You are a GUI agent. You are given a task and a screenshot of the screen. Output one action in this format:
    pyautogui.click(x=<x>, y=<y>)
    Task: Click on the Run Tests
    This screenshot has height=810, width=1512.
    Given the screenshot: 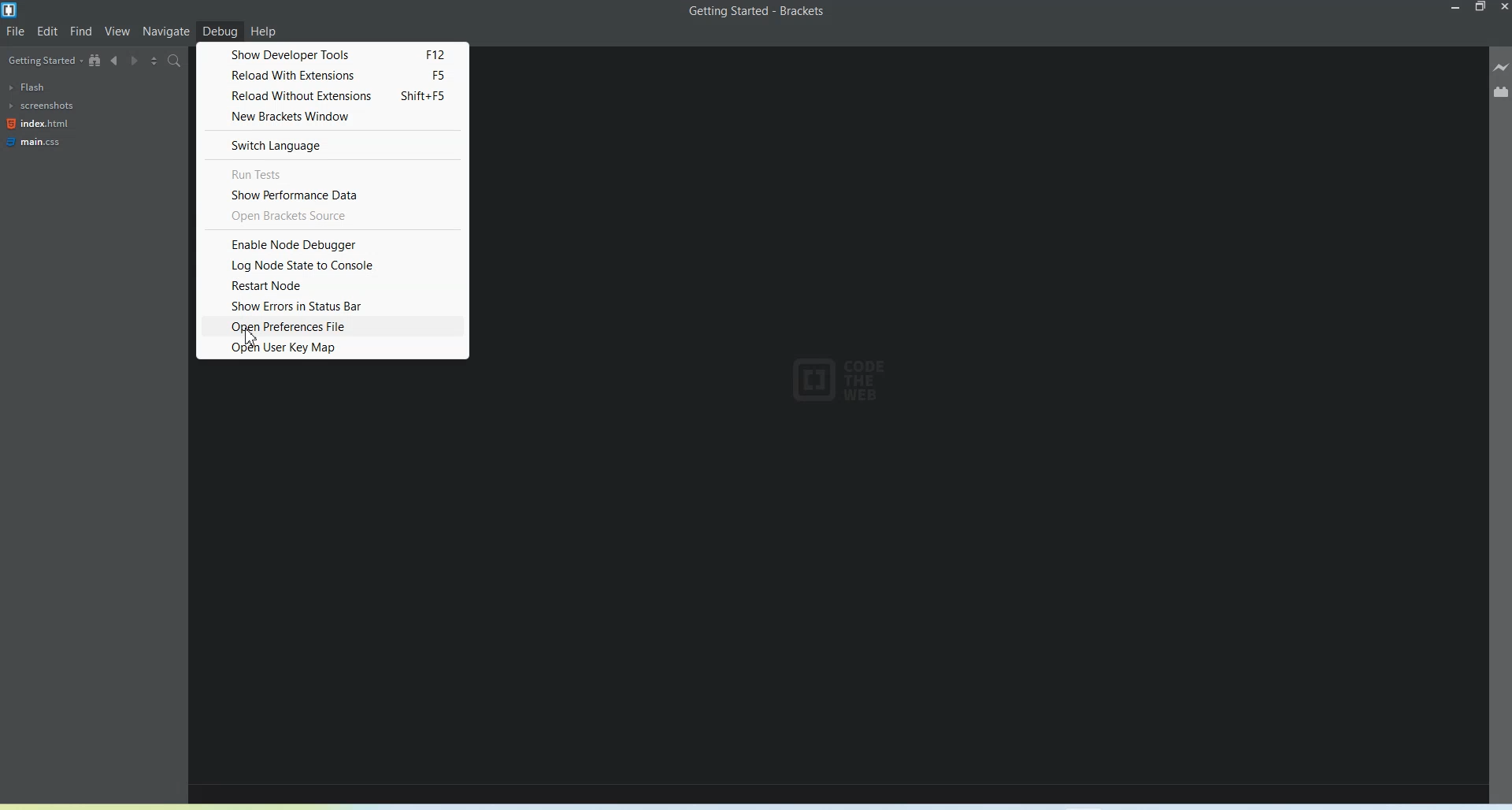 What is the action you would take?
    pyautogui.click(x=332, y=173)
    